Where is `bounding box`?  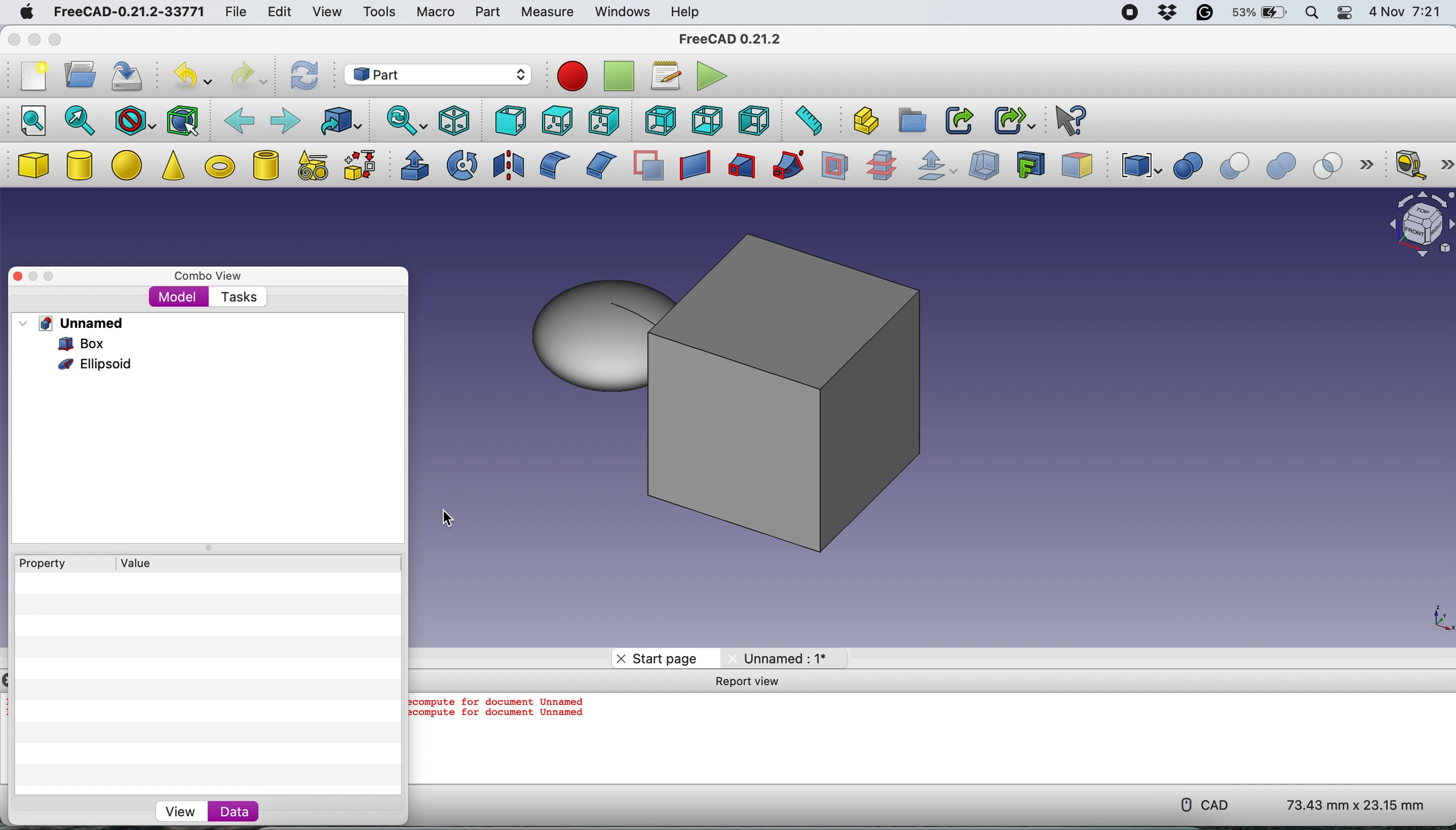 bounding box is located at coordinates (183, 120).